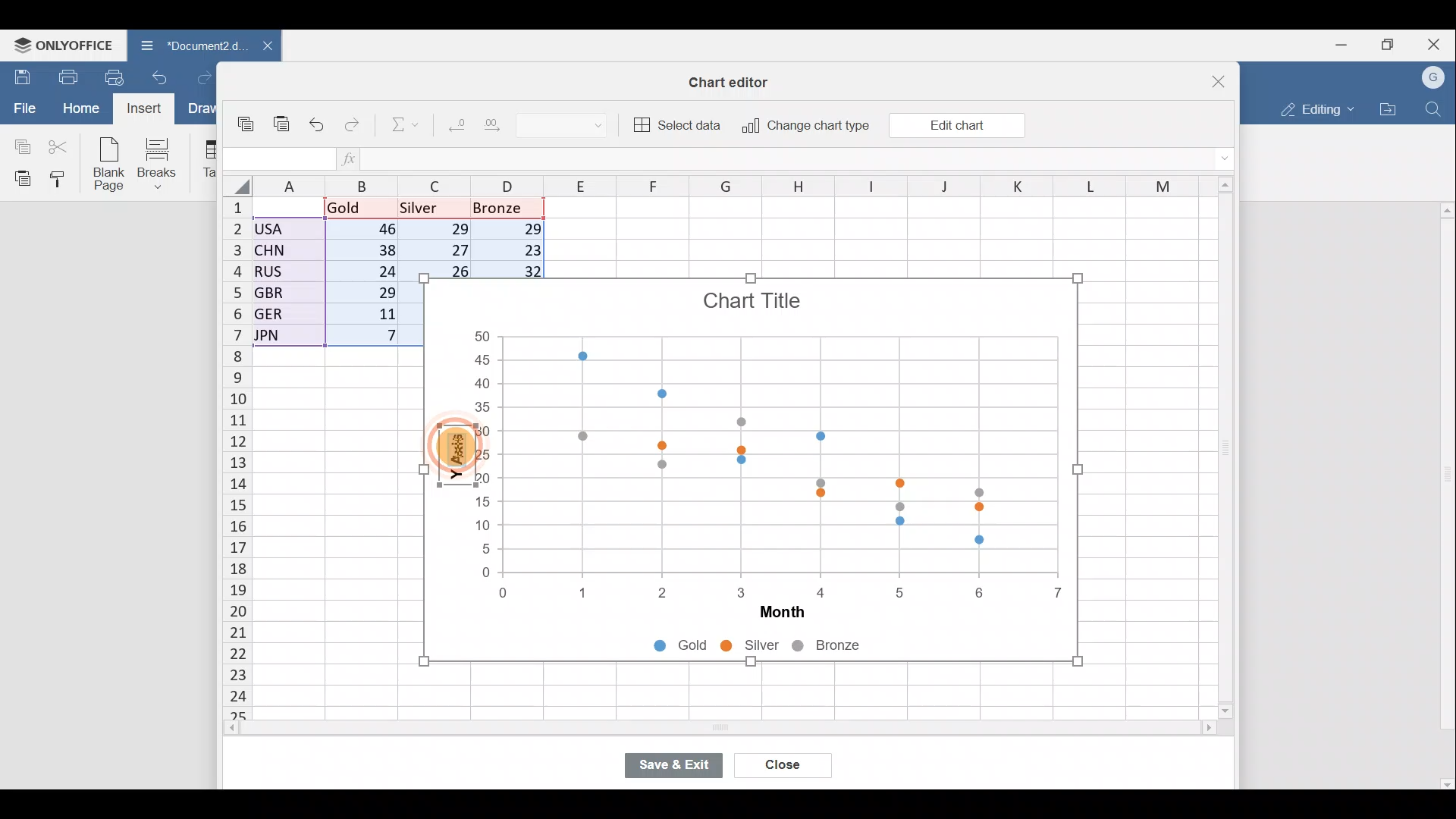  I want to click on Draw, so click(200, 109).